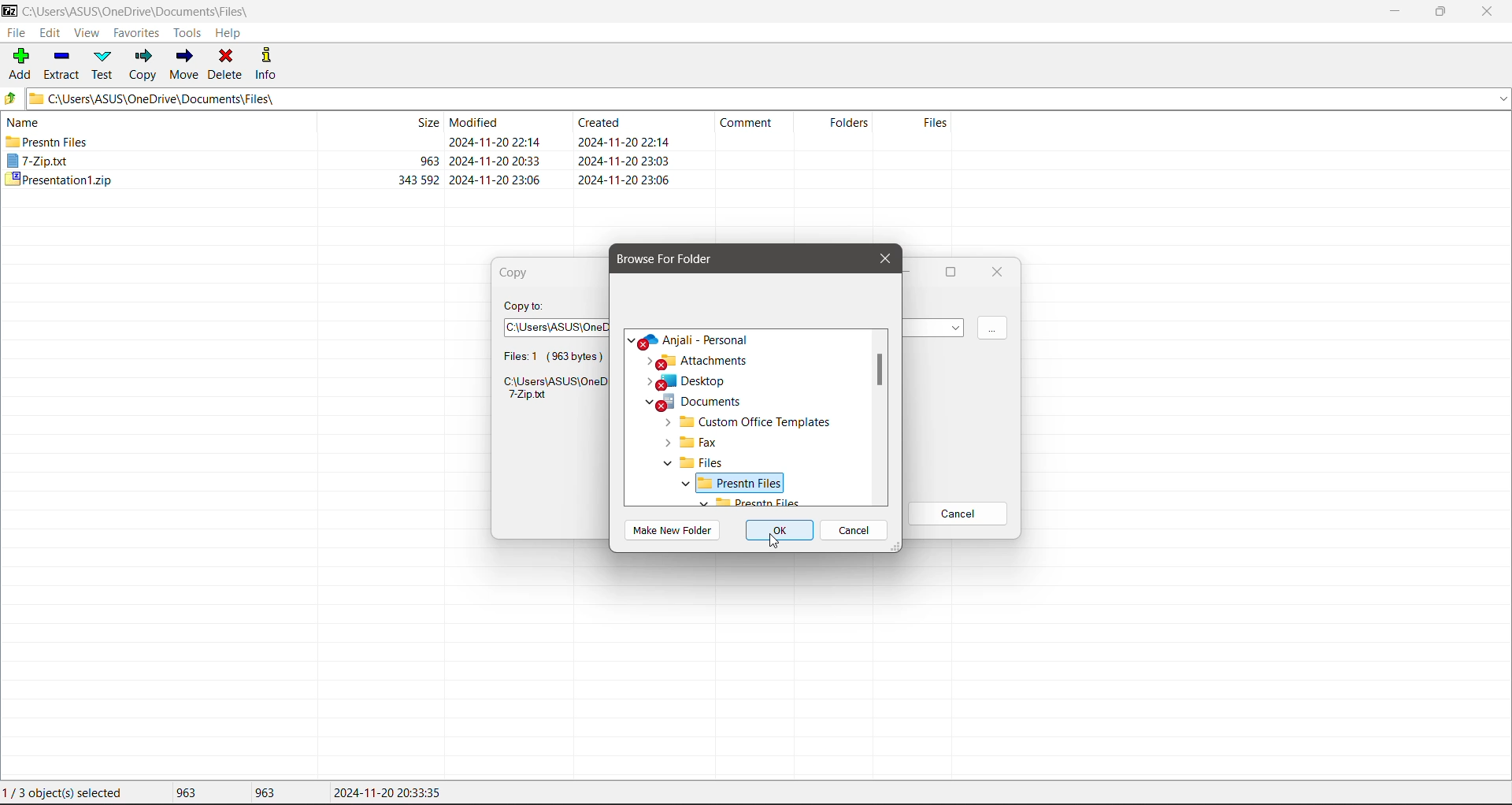  What do you see at coordinates (27, 121) in the screenshot?
I see `Name` at bounding box center [27, 121].